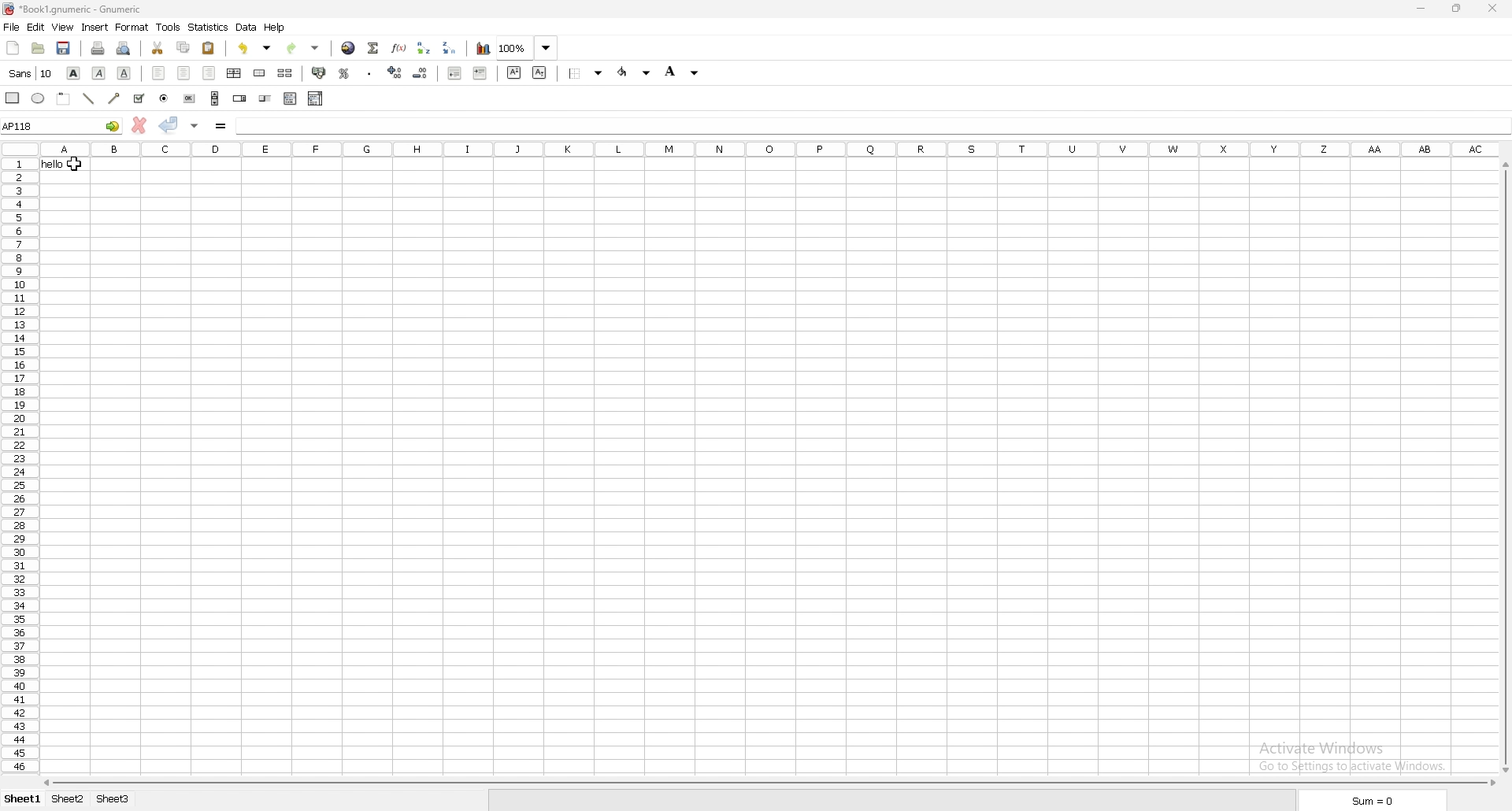 Image resolution: width=1512 pixels, height=811 pixels. What do you see at coordinates (870, 124) in the screenshot?
I see `cell input` at bounding box center [870, 124].